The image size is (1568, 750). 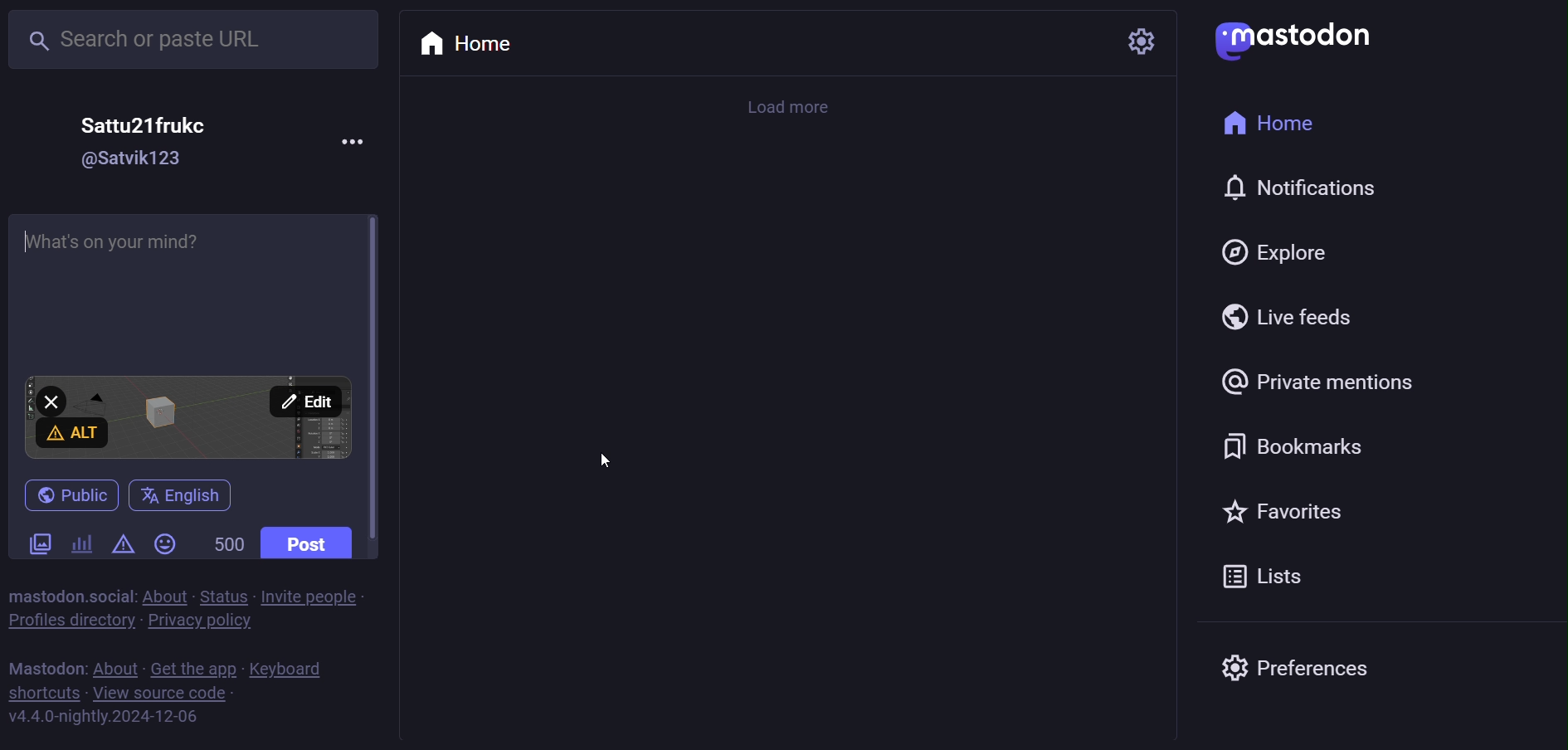 I want to click on get the app, so click(x=194, y=668).